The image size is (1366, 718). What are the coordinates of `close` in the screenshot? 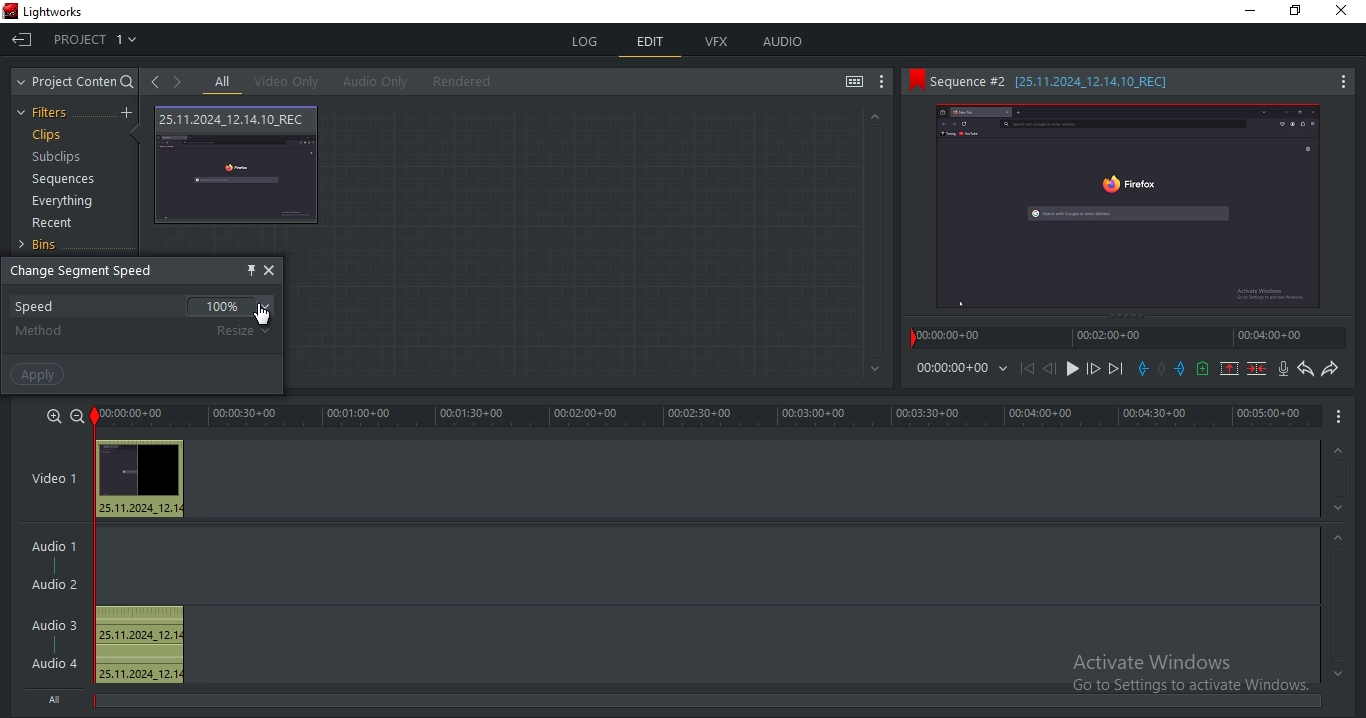 It's located at (270, 270).